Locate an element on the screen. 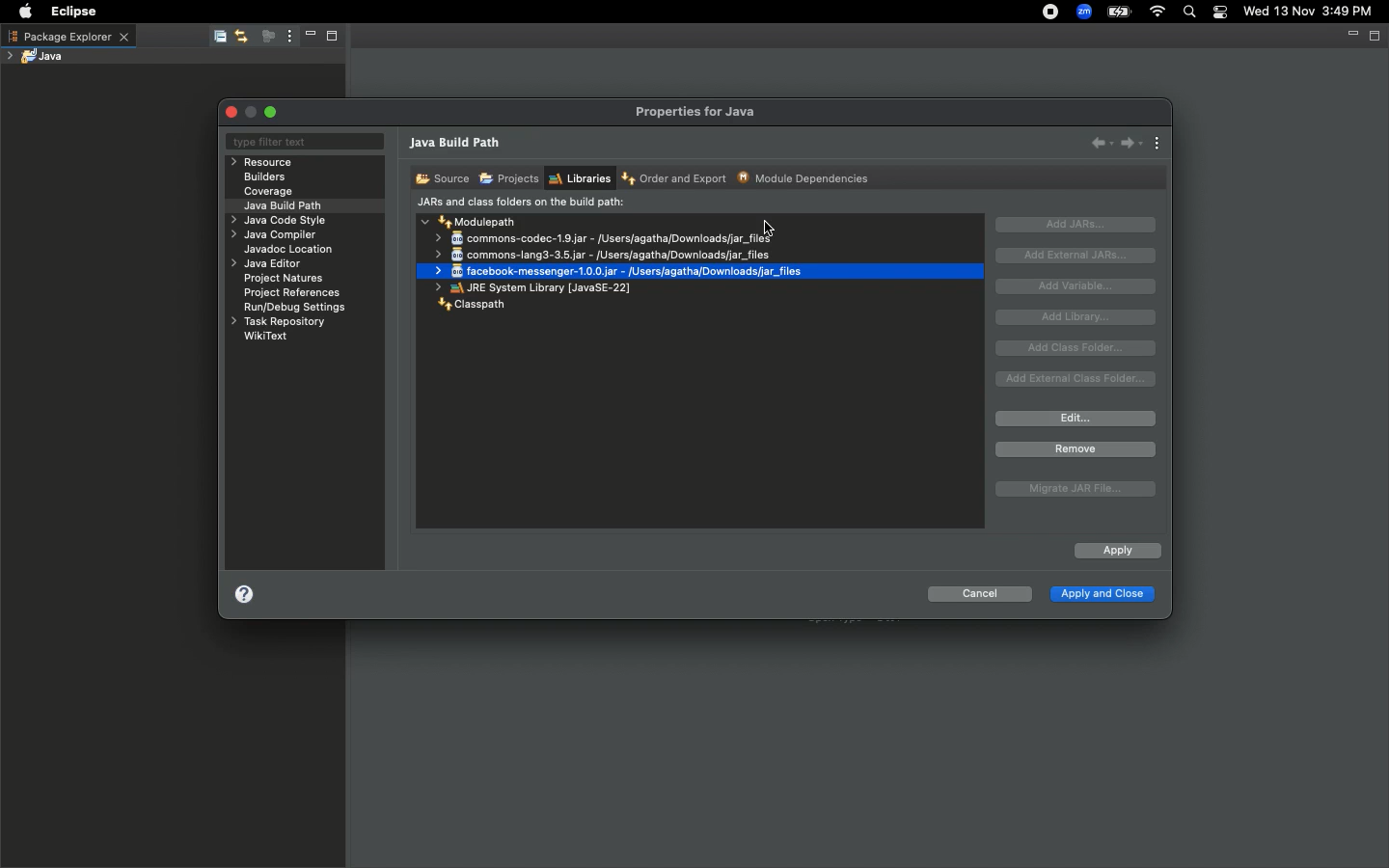 Image resolution: width=1389 pixels, height=868 pixels. Add JARs is located at coordinates (1076, 225).